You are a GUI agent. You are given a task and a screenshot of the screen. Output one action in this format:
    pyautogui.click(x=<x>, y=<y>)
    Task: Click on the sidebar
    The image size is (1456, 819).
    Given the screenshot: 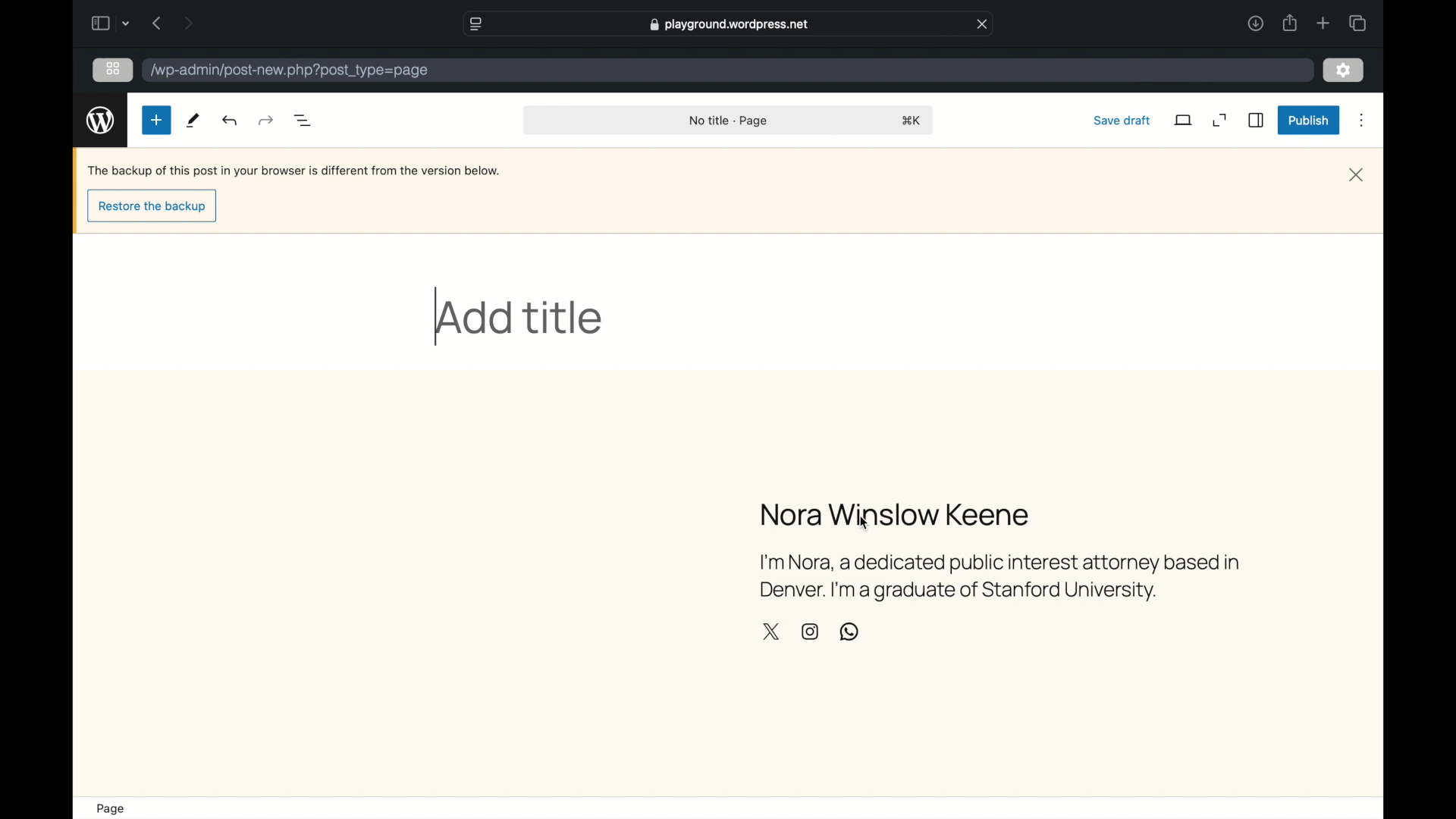 What is the action you would take?
    pyautogui.click(x=99, y=23)
    